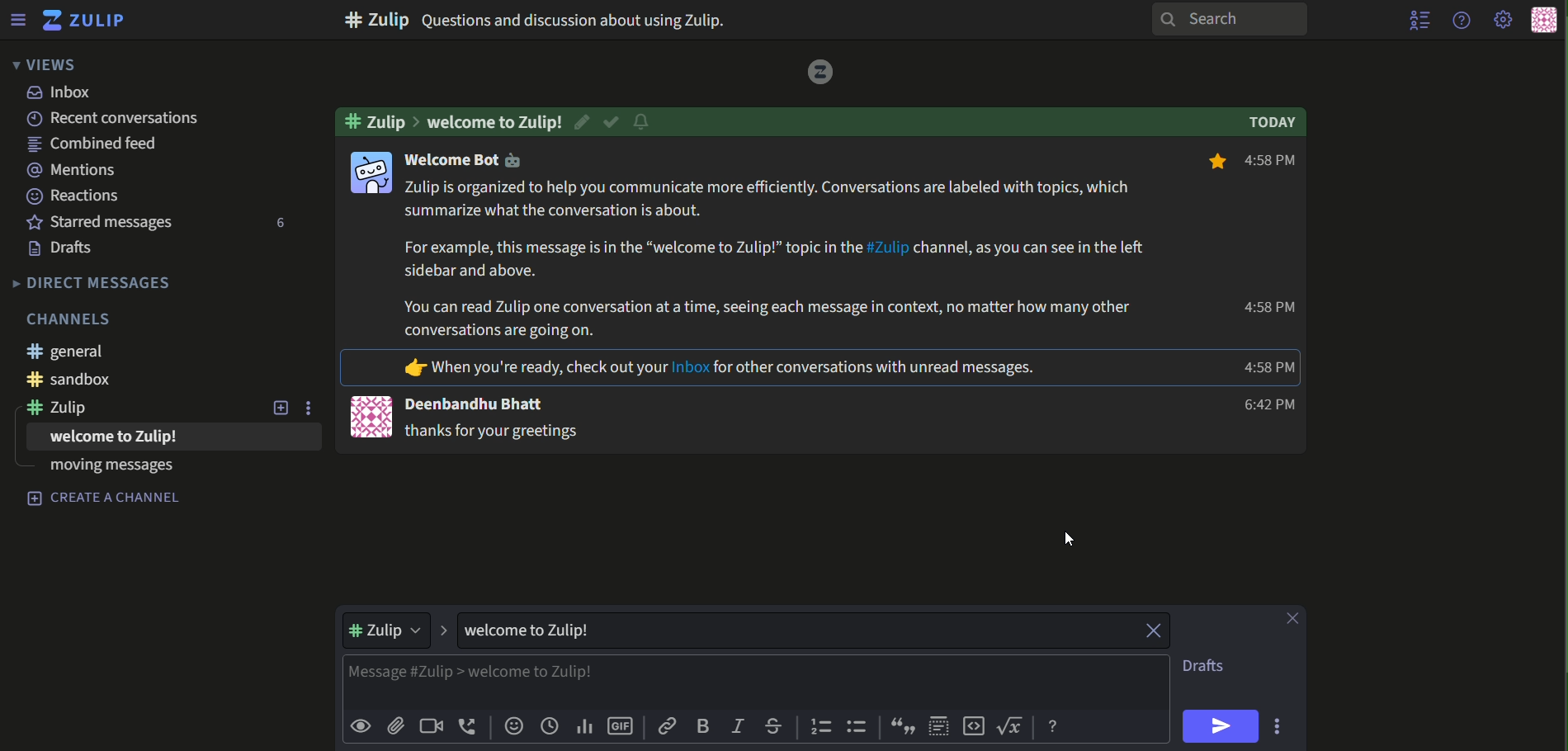  Describe the element at coordinates (1213, 163) in the screenshot. I see `bookmark` at that location.